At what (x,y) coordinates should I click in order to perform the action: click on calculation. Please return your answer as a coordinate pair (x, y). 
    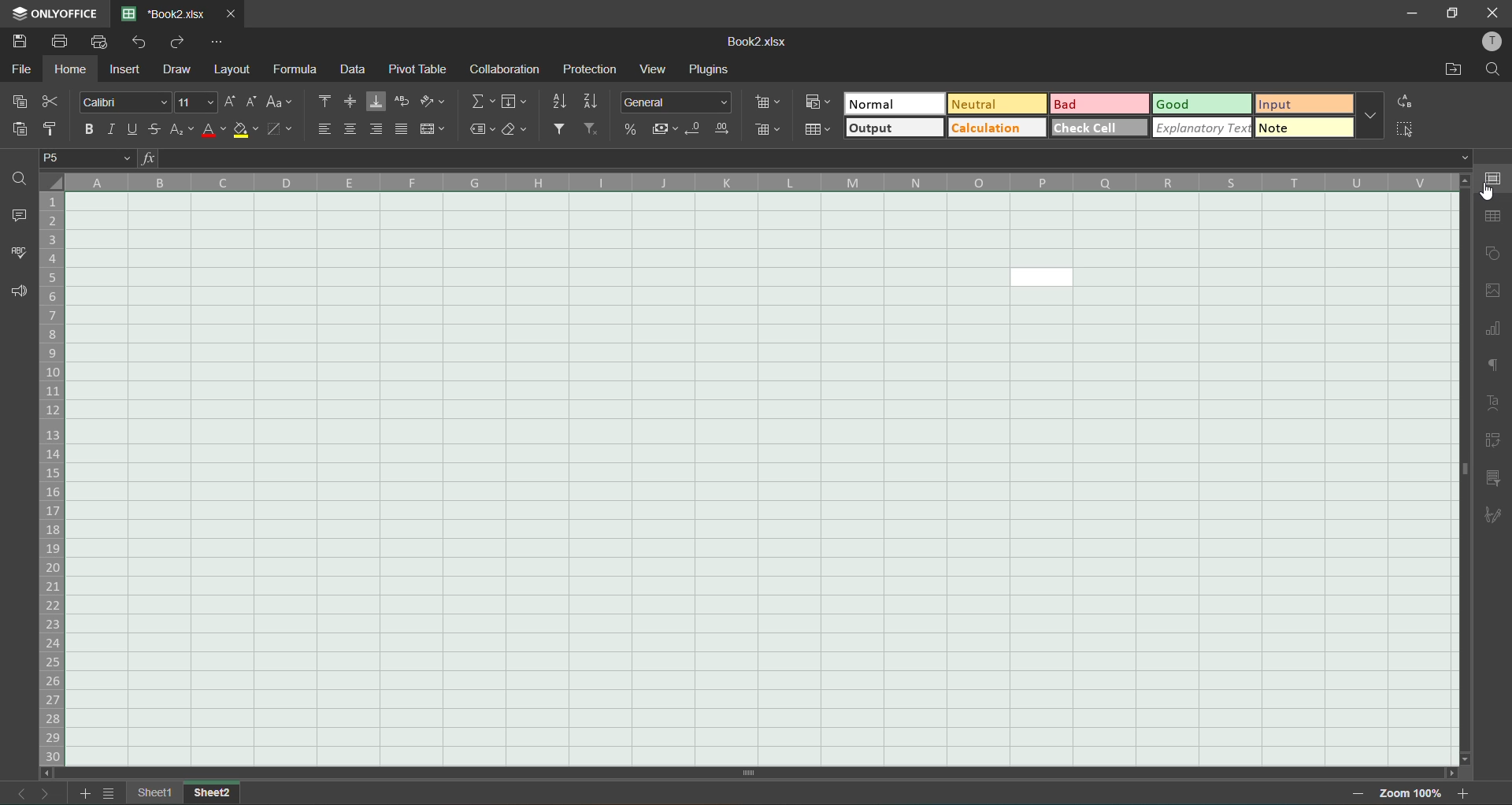
    Looking at the image, I should click on (993, 129).